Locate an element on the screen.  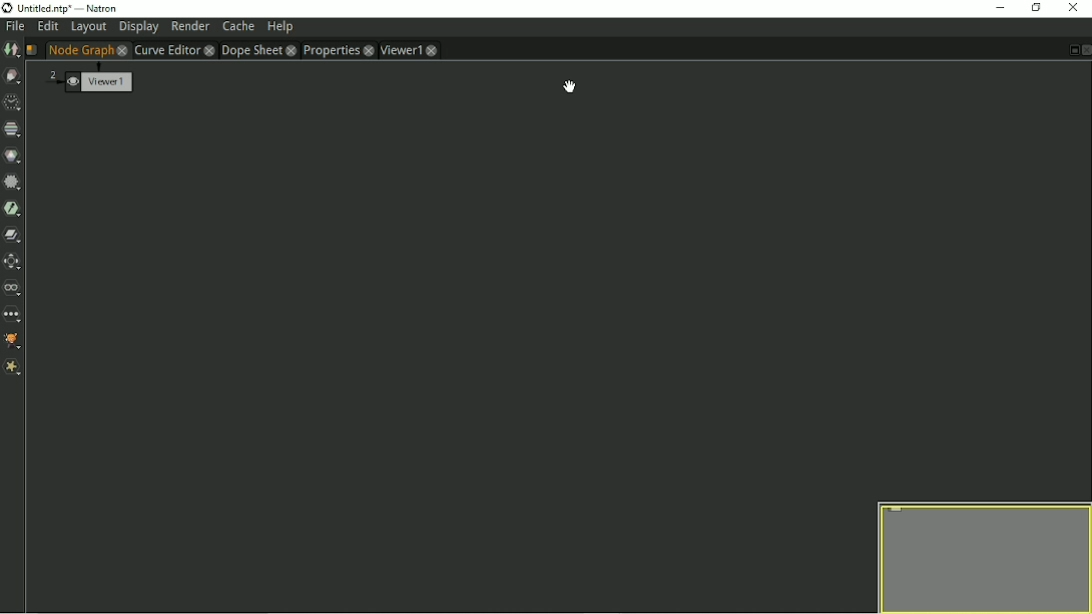
Keyer is located at coordinates (13, 209).